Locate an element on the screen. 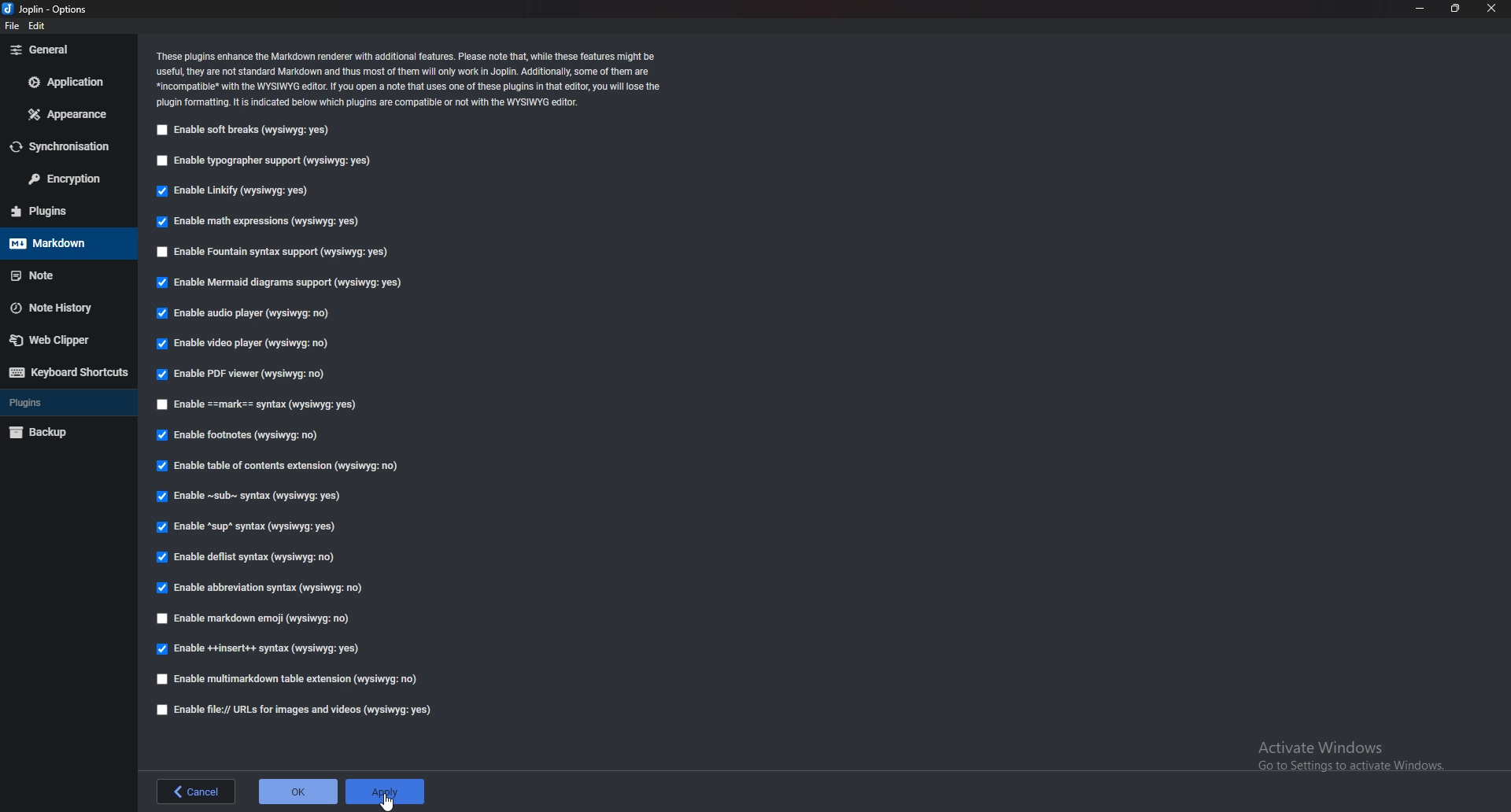 The width and height of the screenshot is (1511, 812). Enable sub syntax is located at coordinates (251, 496).